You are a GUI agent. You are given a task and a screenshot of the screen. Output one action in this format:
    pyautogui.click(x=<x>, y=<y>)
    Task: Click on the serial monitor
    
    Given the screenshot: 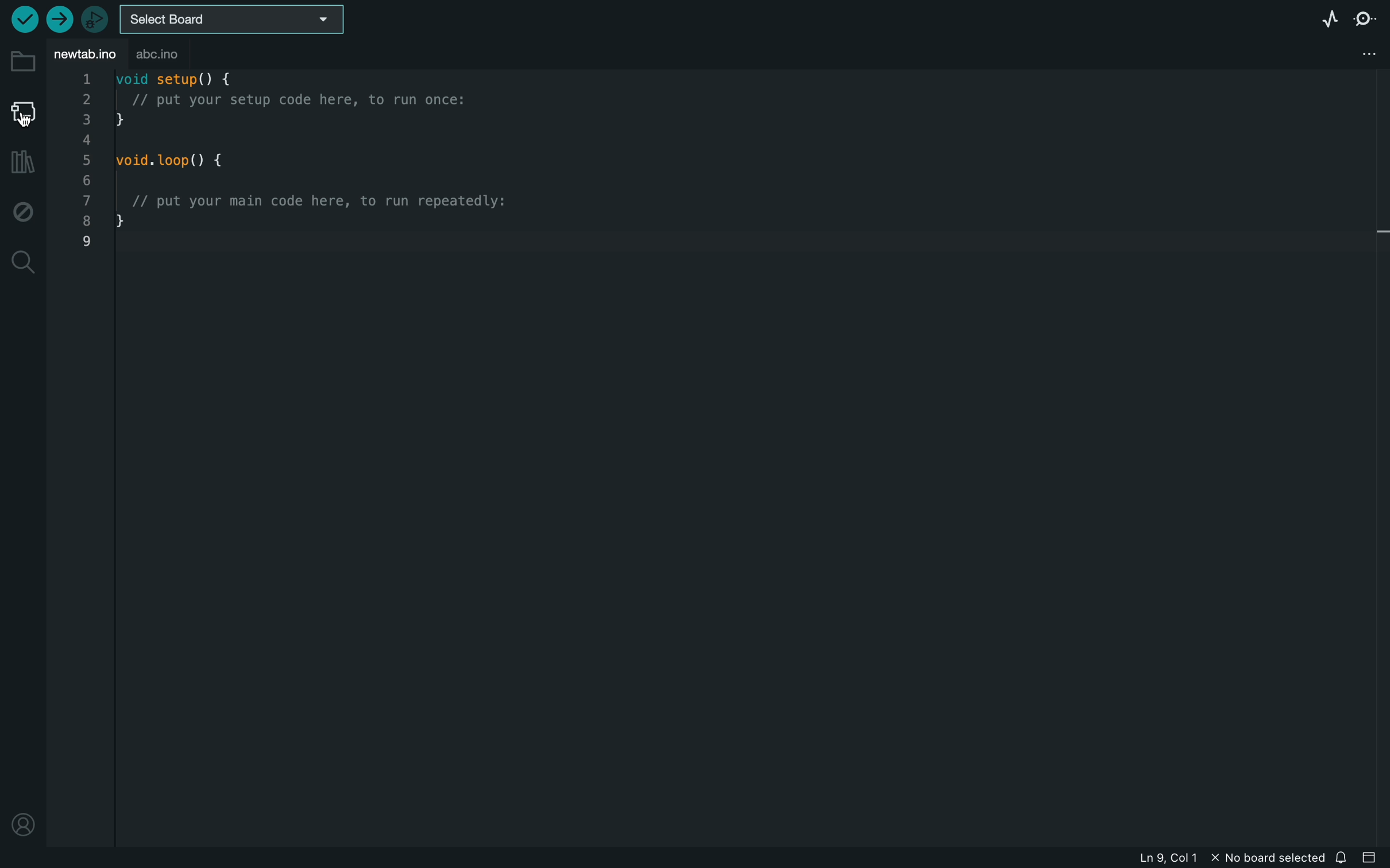 What is the action you would take?
    pyautogui.click(x=1364, y=19)
    